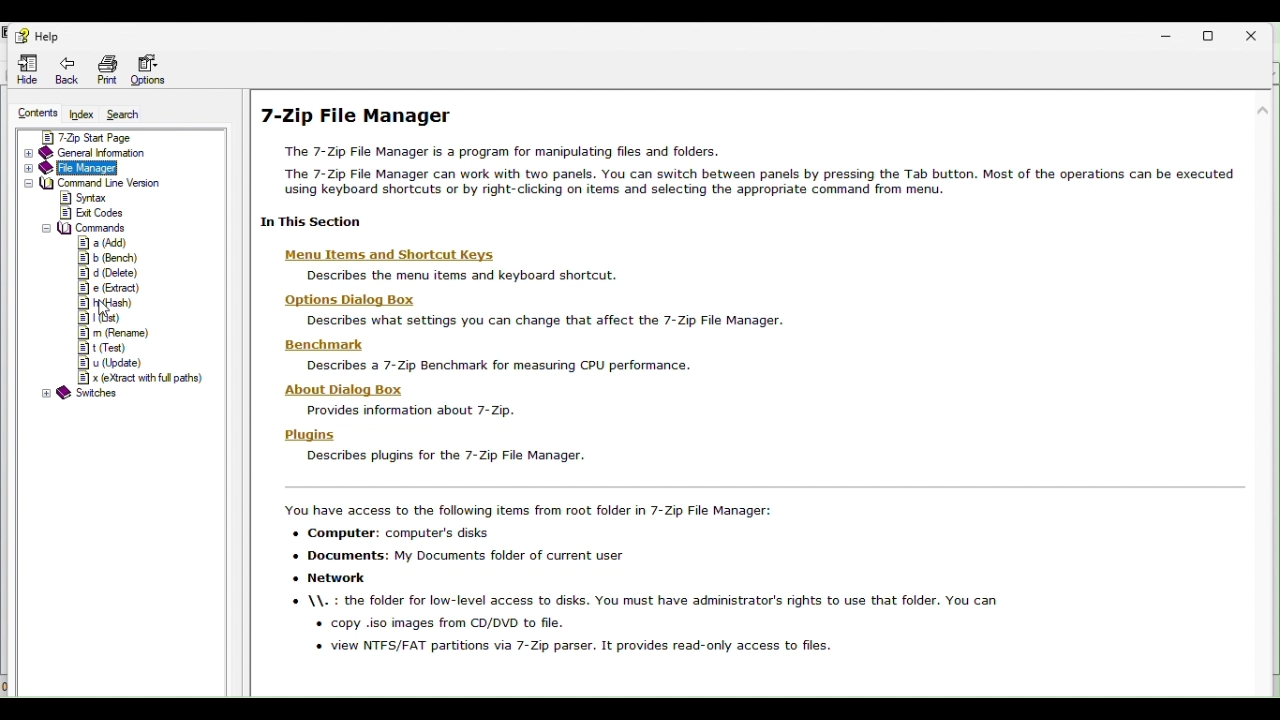 The image size is (1280, 720). I want to click on b(bench), so click(106, 259).